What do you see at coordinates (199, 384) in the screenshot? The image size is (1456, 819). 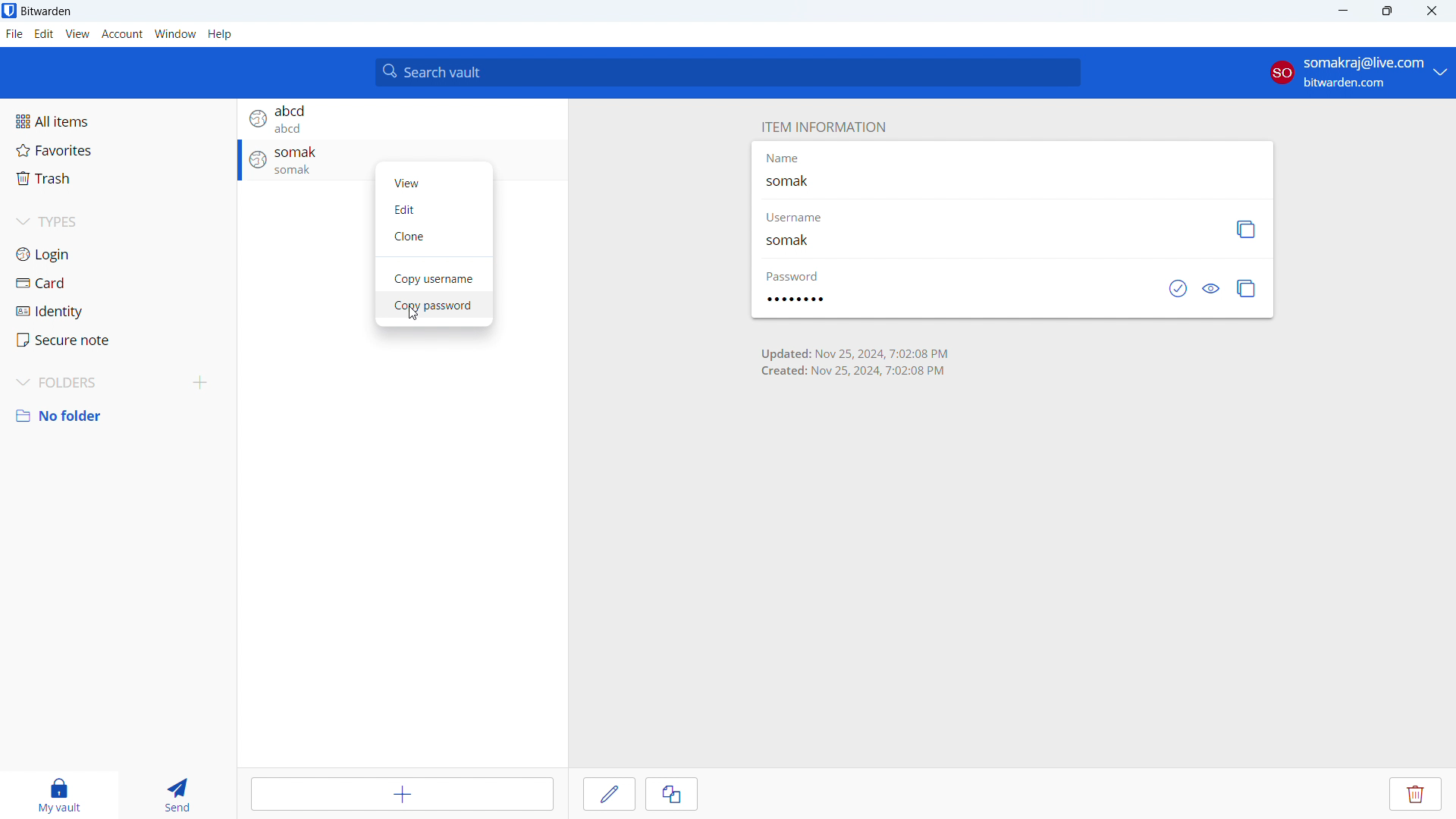 I see `add folder` at bounding box center [199, 384].